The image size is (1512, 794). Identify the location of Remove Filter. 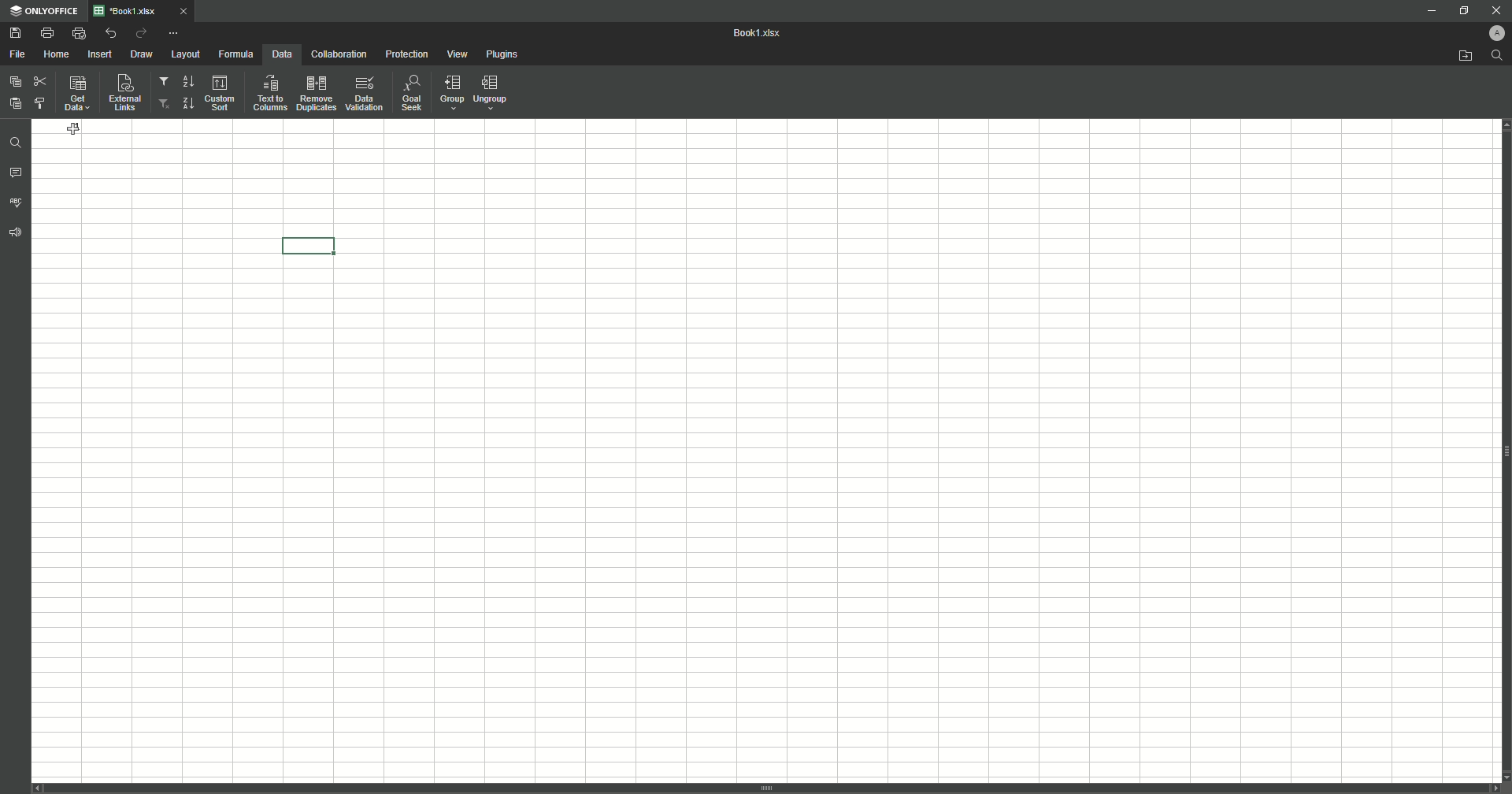
(165, 104).